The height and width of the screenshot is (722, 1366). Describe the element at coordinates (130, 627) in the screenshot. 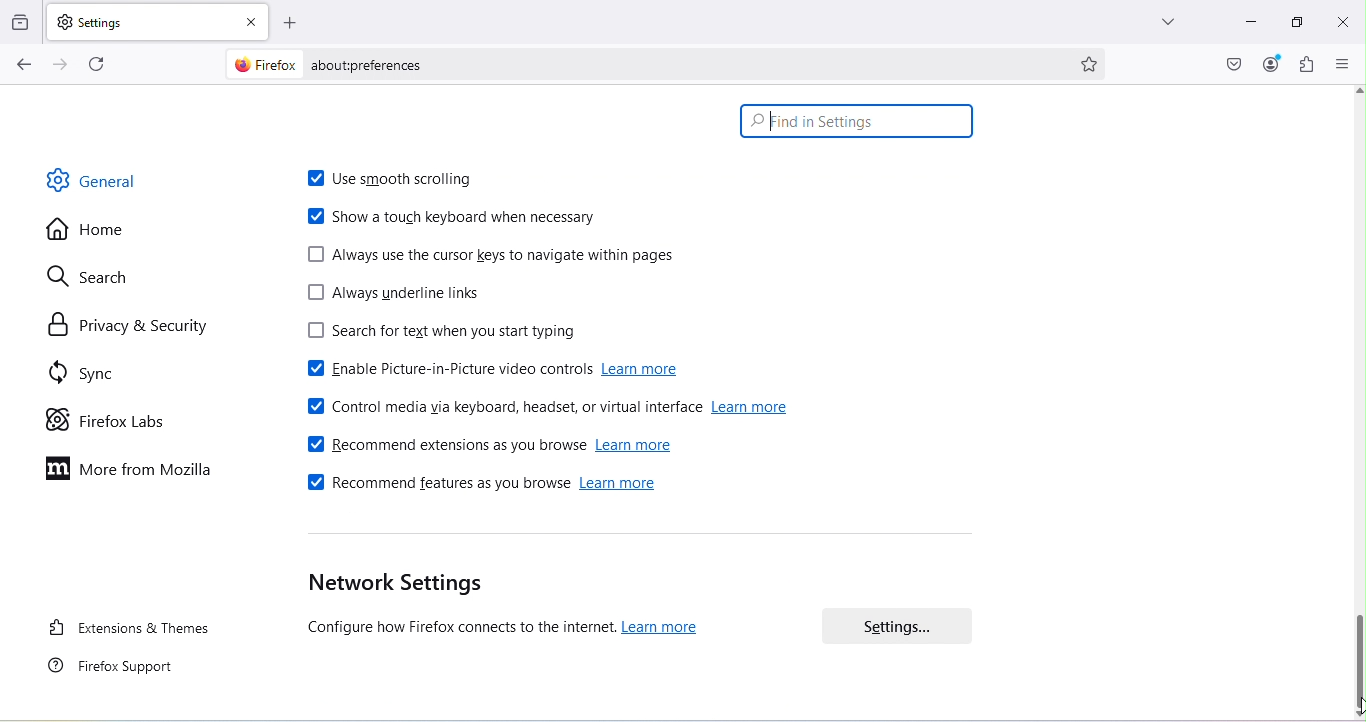

I see `Extensions and themes` at that location.